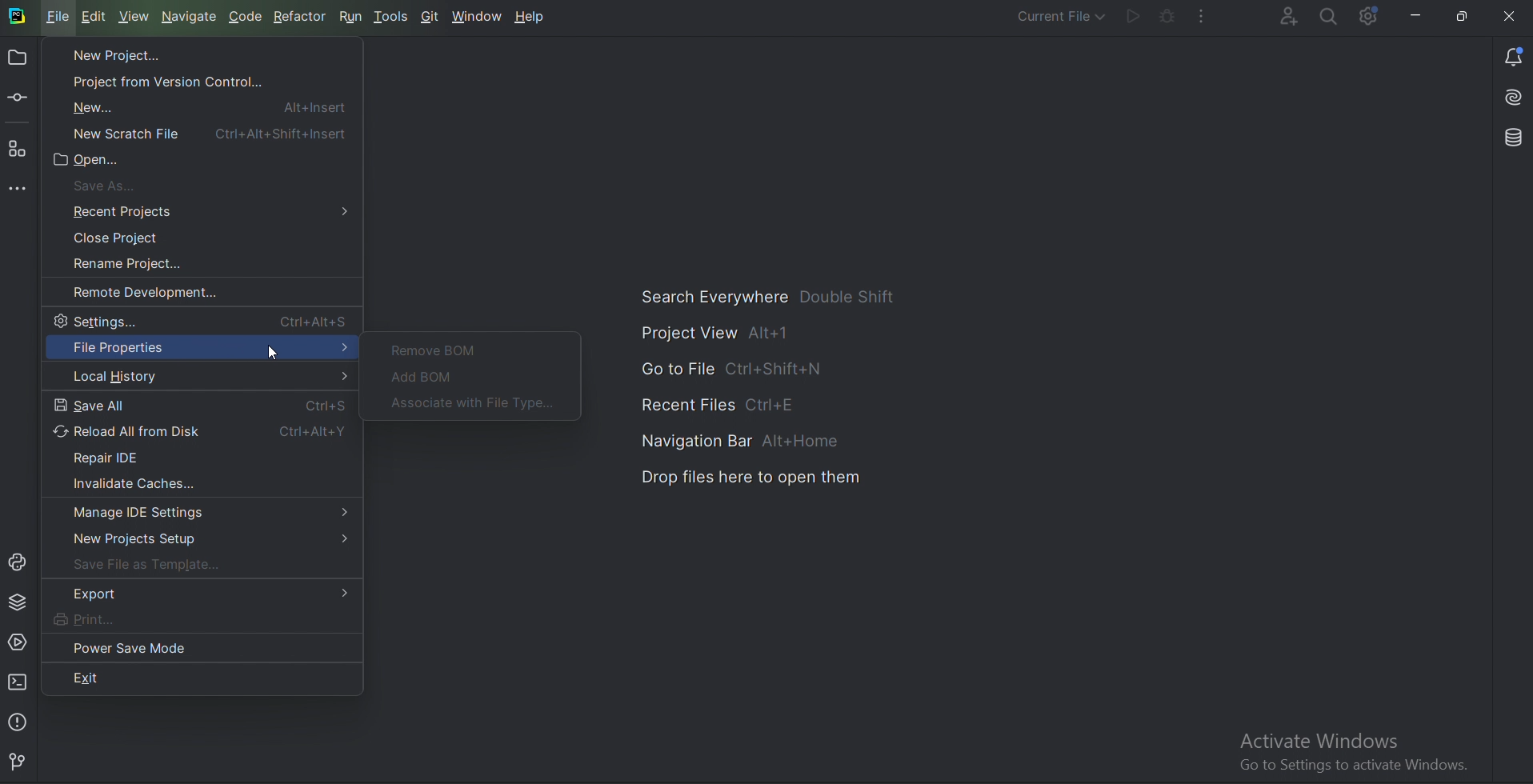 This screenshot has height=784, width=1533. I want to click on Print, so click(109, 619).